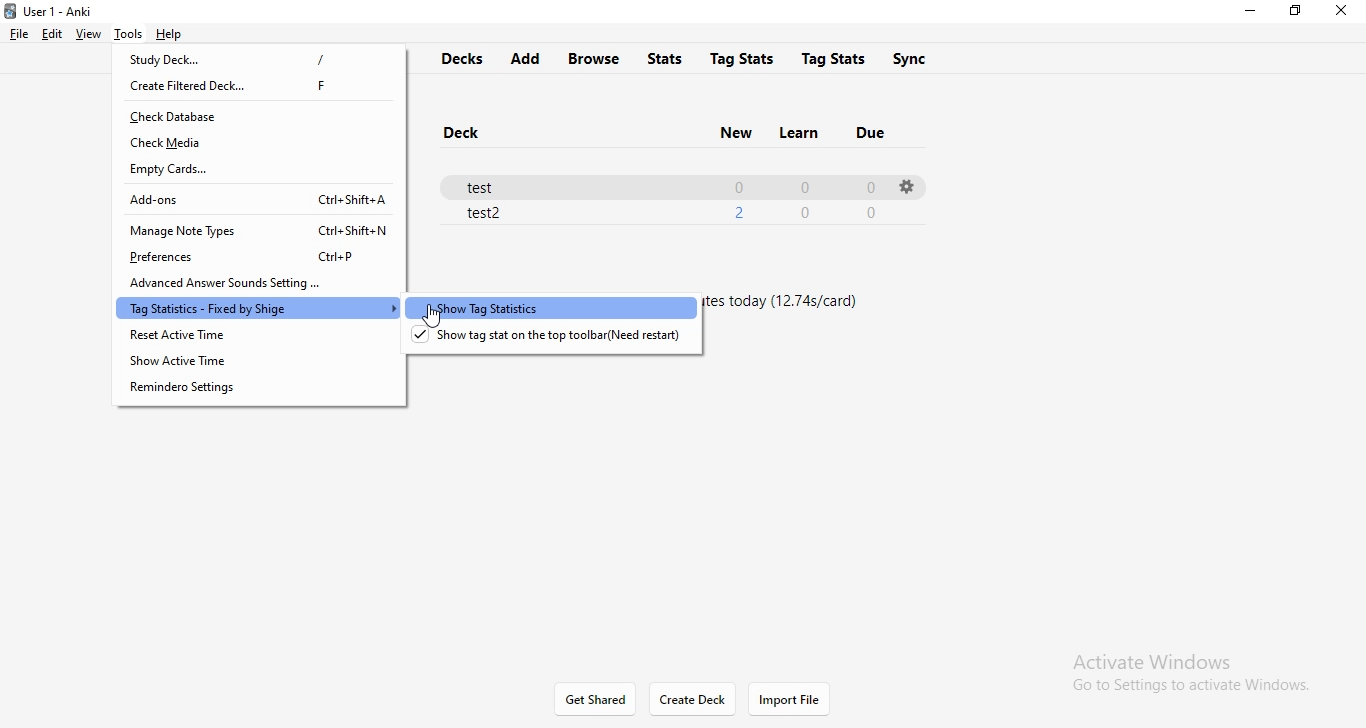 The image size is (1366, 728). I want to click on study deck, so click(266, 62).